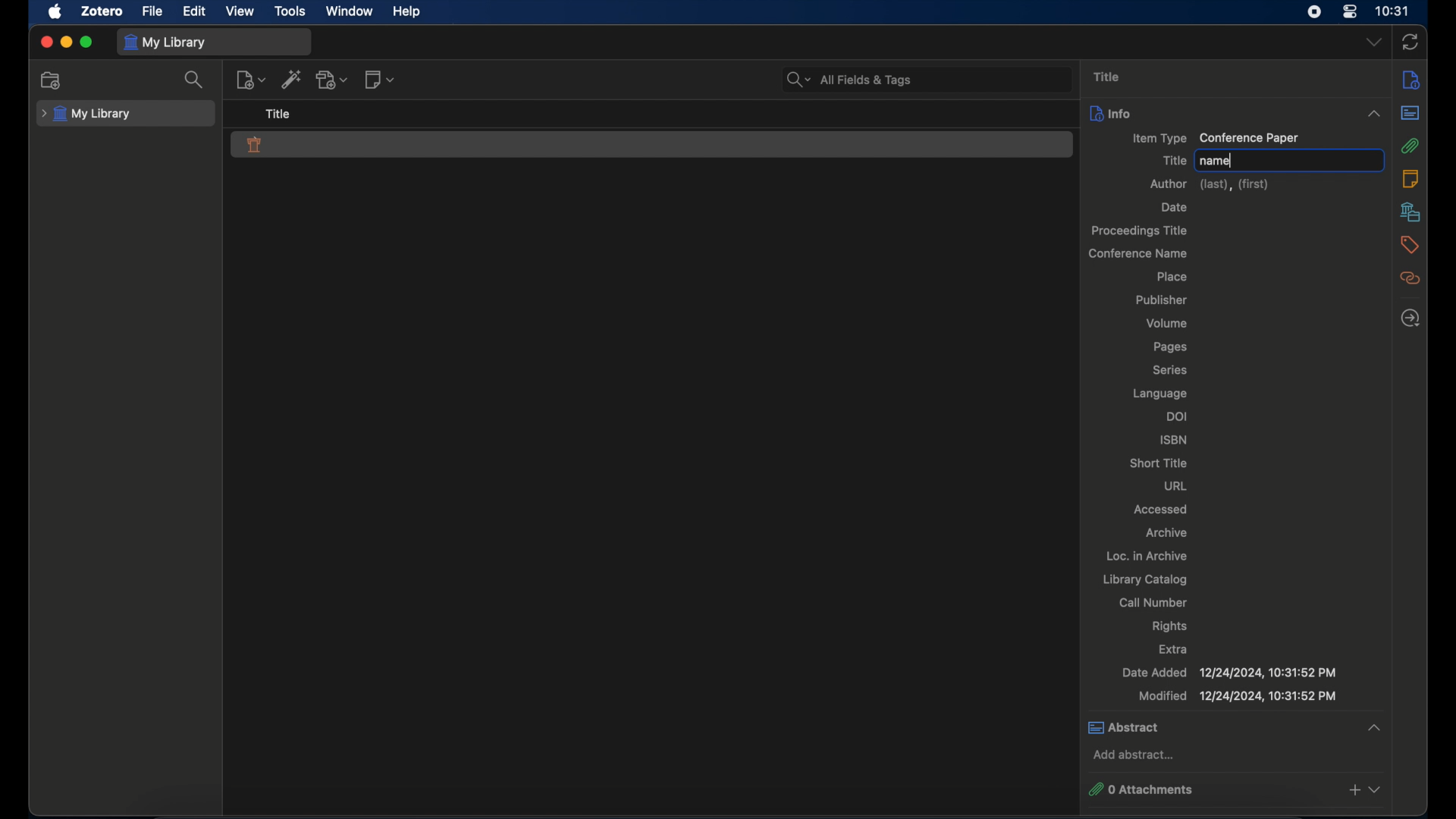 Image resolution: width=1456 pixels, height=819 pixels. Describe the element at coordinates (1216, 162) in the screenshot. I see `name` at that location.